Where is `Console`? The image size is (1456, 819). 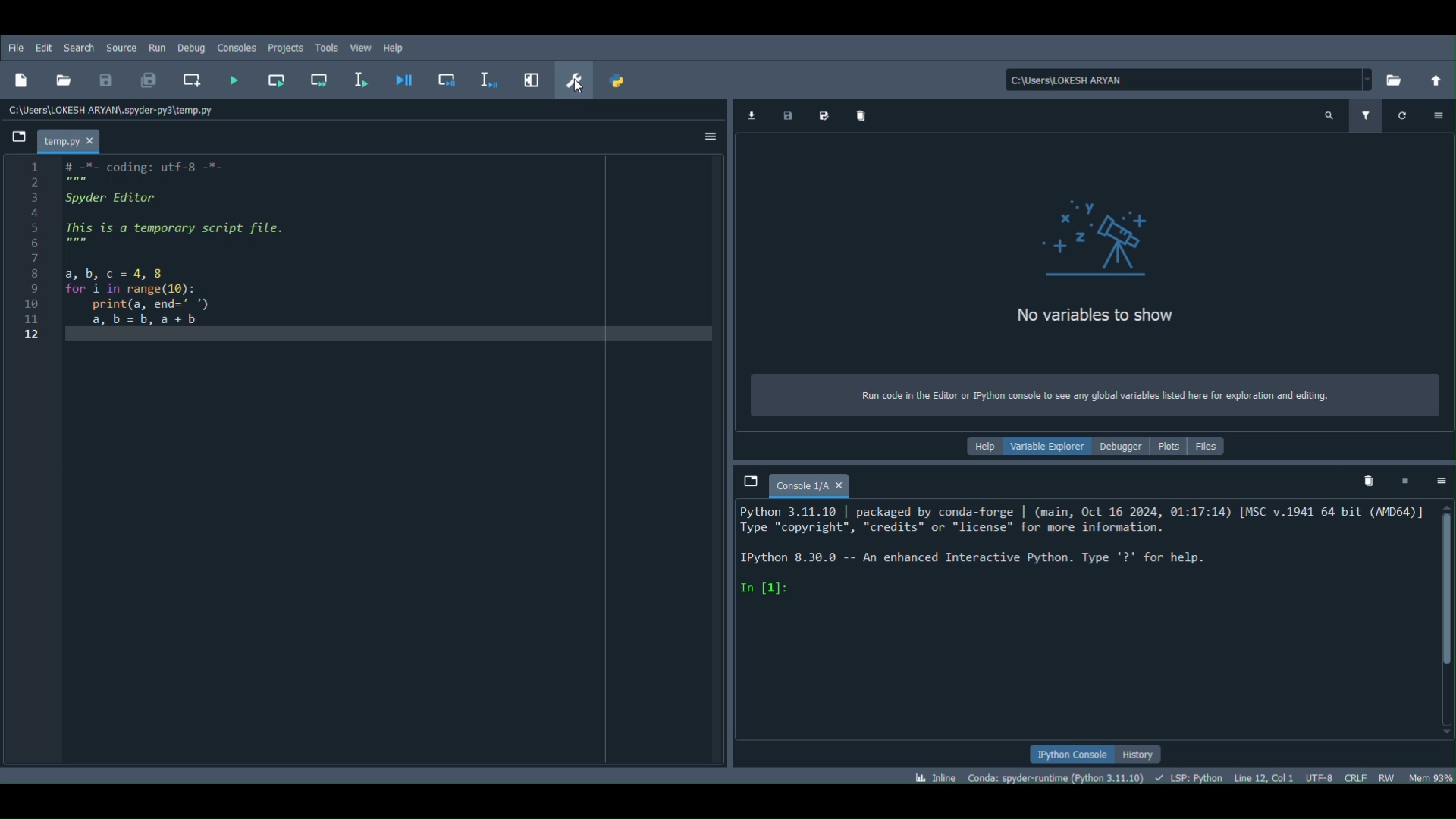
Console is located at coordinates (235, 45).